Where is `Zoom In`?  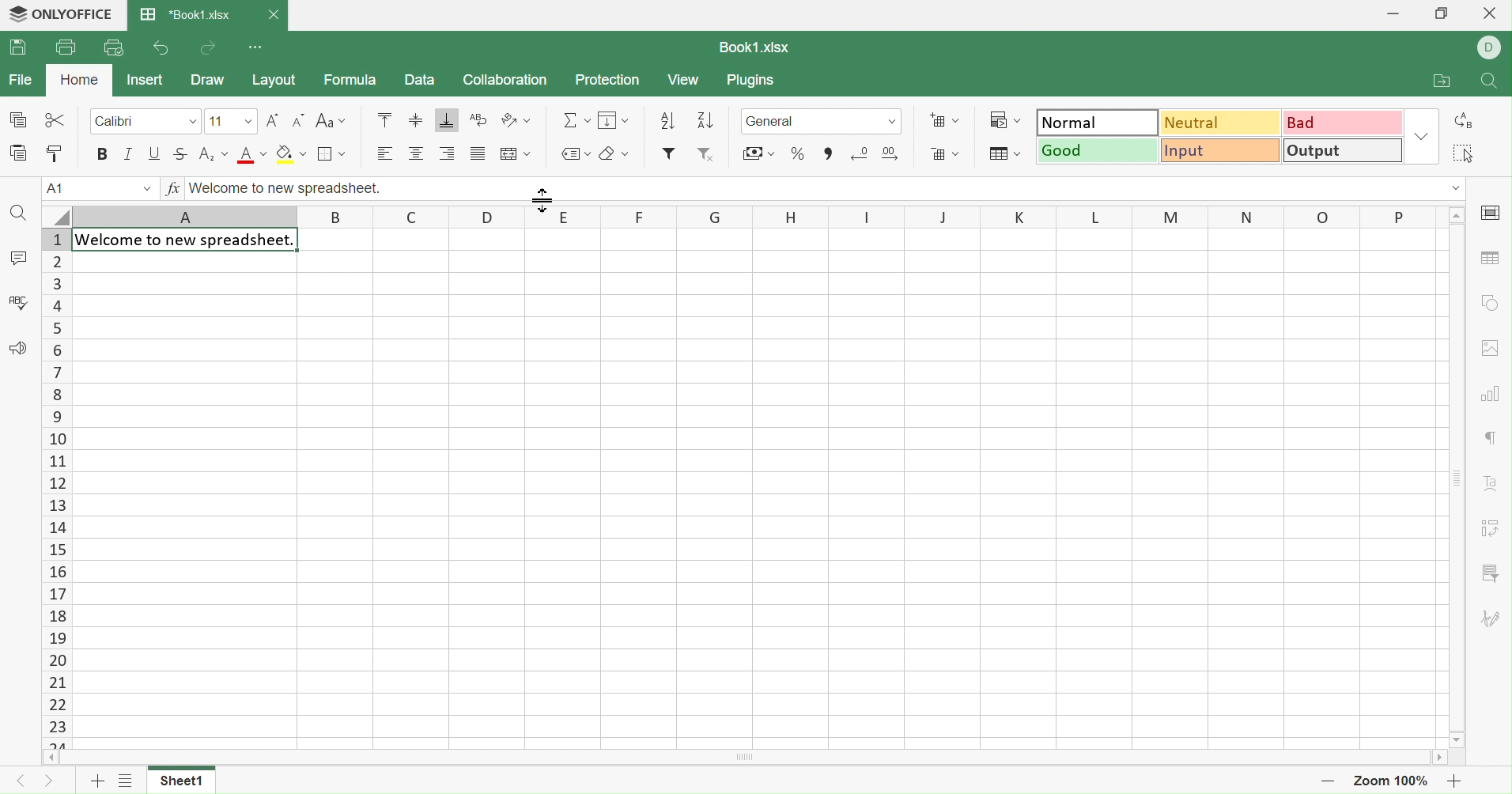
Zoom In is located at coordinates (1452, 781).